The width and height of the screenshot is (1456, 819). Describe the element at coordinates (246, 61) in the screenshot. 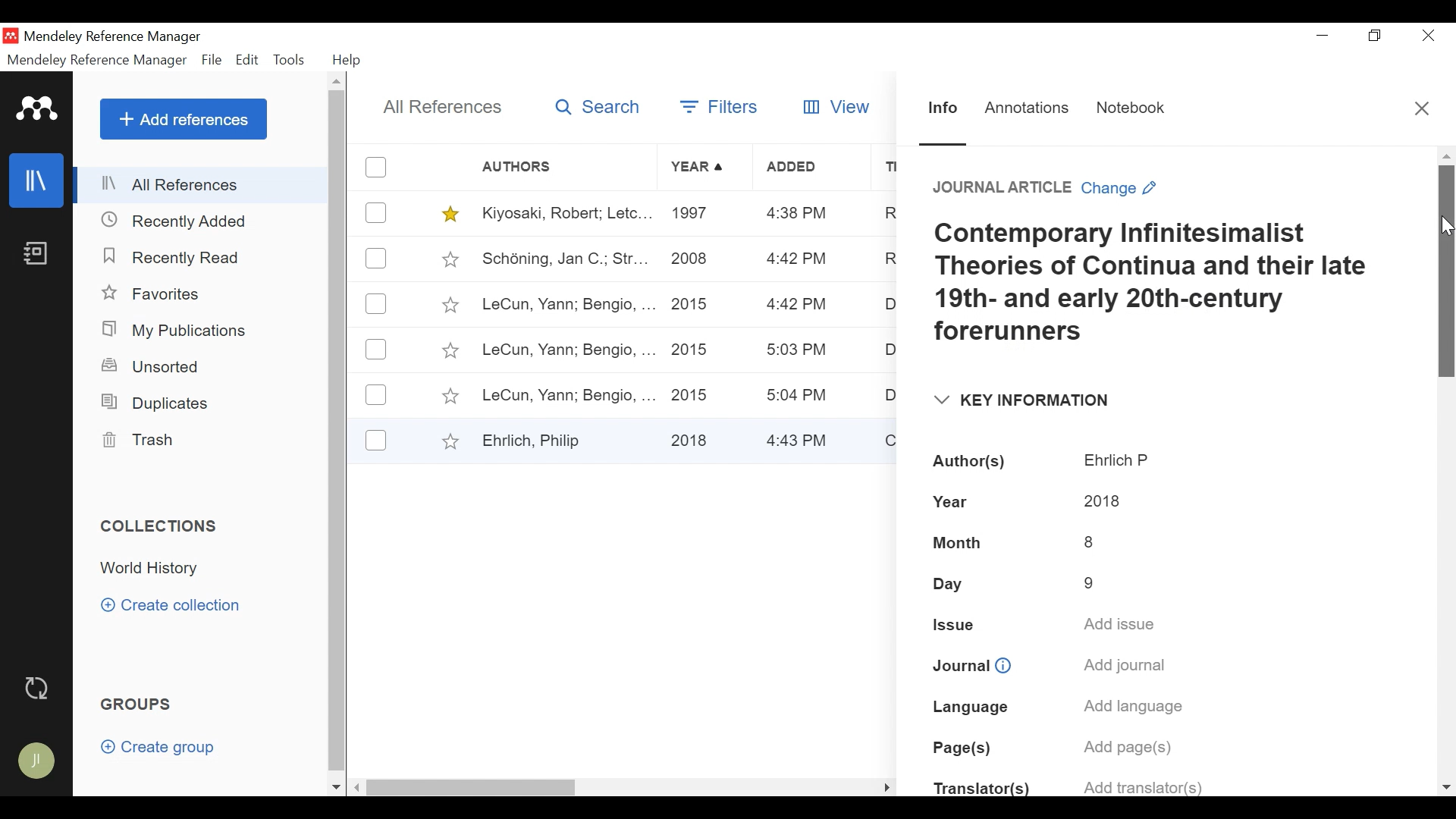

I see `Edit` at that location.